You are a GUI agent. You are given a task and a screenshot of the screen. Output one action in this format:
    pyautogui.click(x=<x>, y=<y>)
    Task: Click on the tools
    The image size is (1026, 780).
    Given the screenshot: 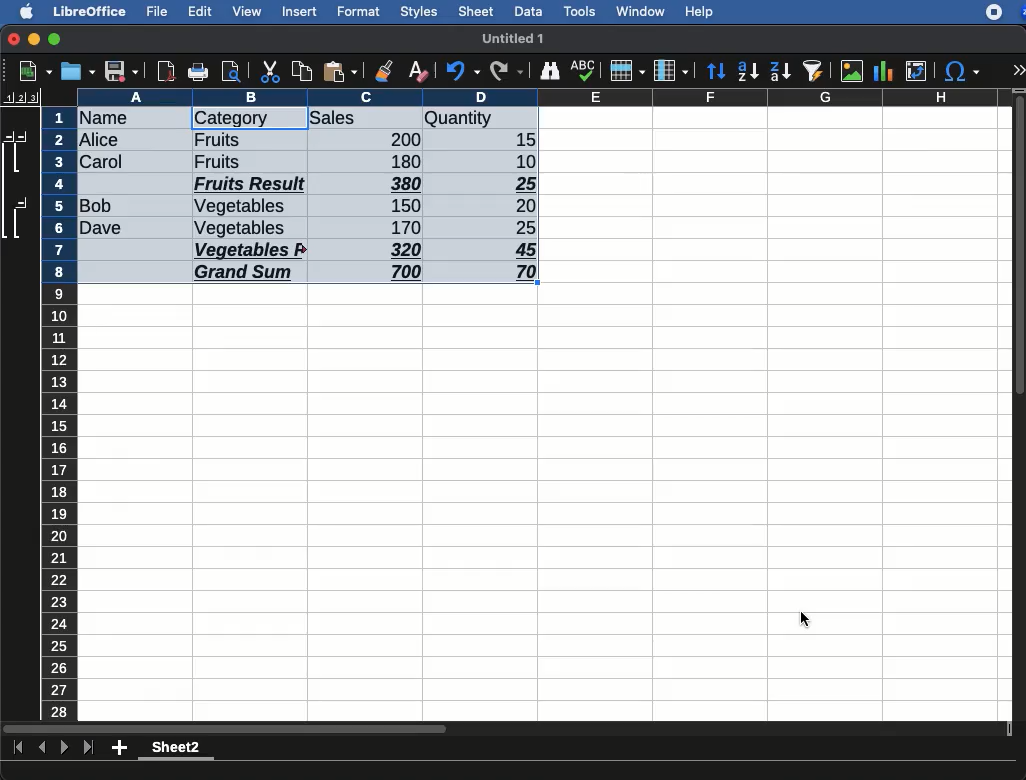 What is the action you would take?
    pyautogui.click(x=581, y=11)
    